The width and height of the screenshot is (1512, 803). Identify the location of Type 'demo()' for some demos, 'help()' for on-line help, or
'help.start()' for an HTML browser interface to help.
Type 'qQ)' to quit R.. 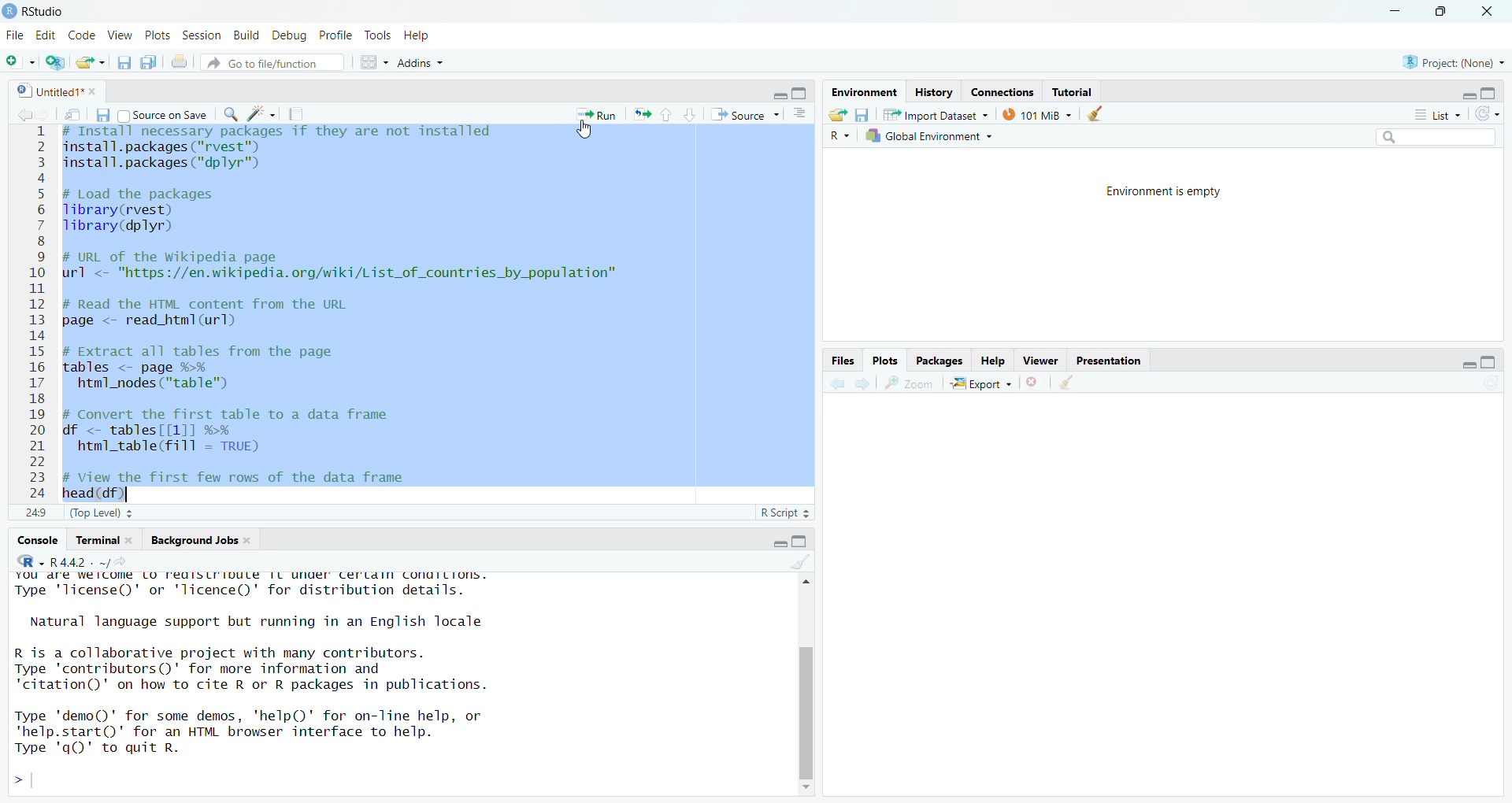
(254, 736).